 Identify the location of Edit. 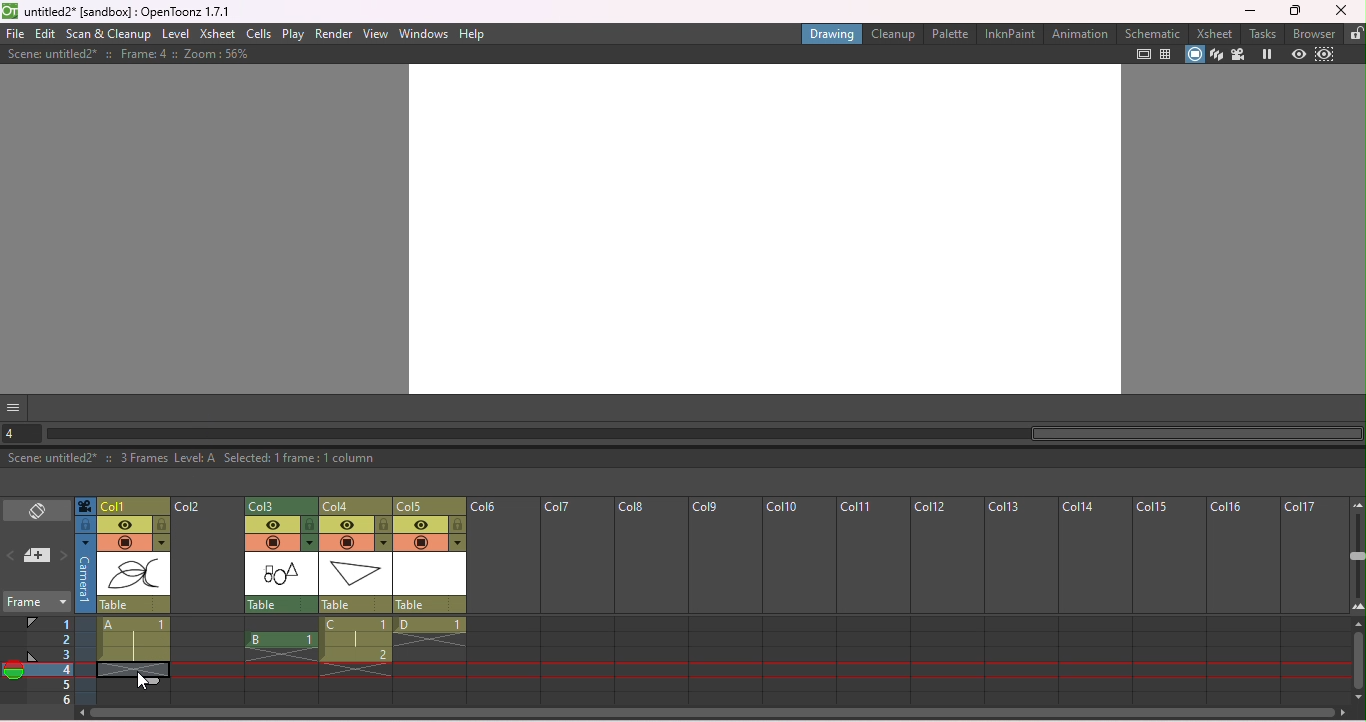
(47, 34).